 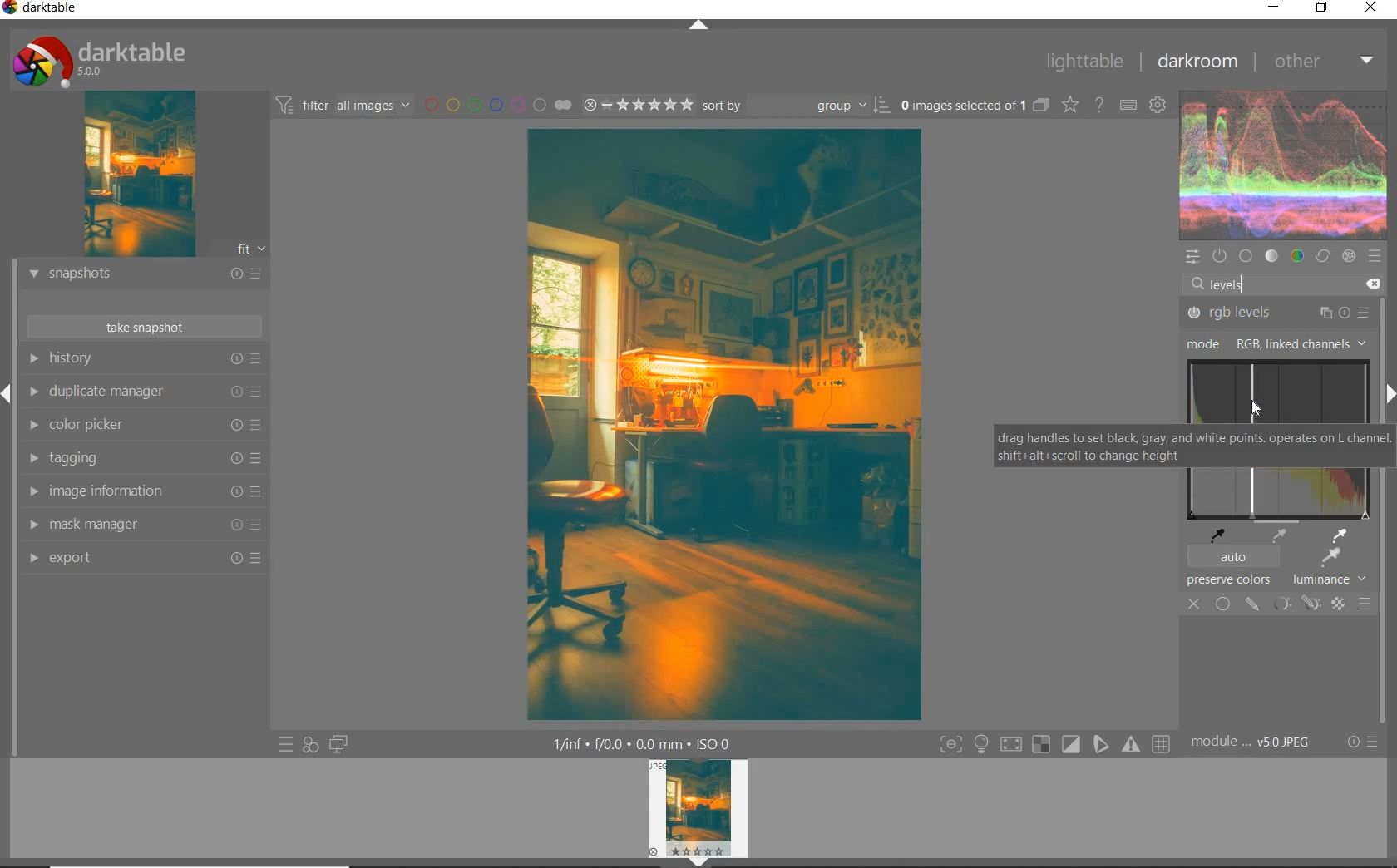 I want to click on color, so click(x=1299, y=254).